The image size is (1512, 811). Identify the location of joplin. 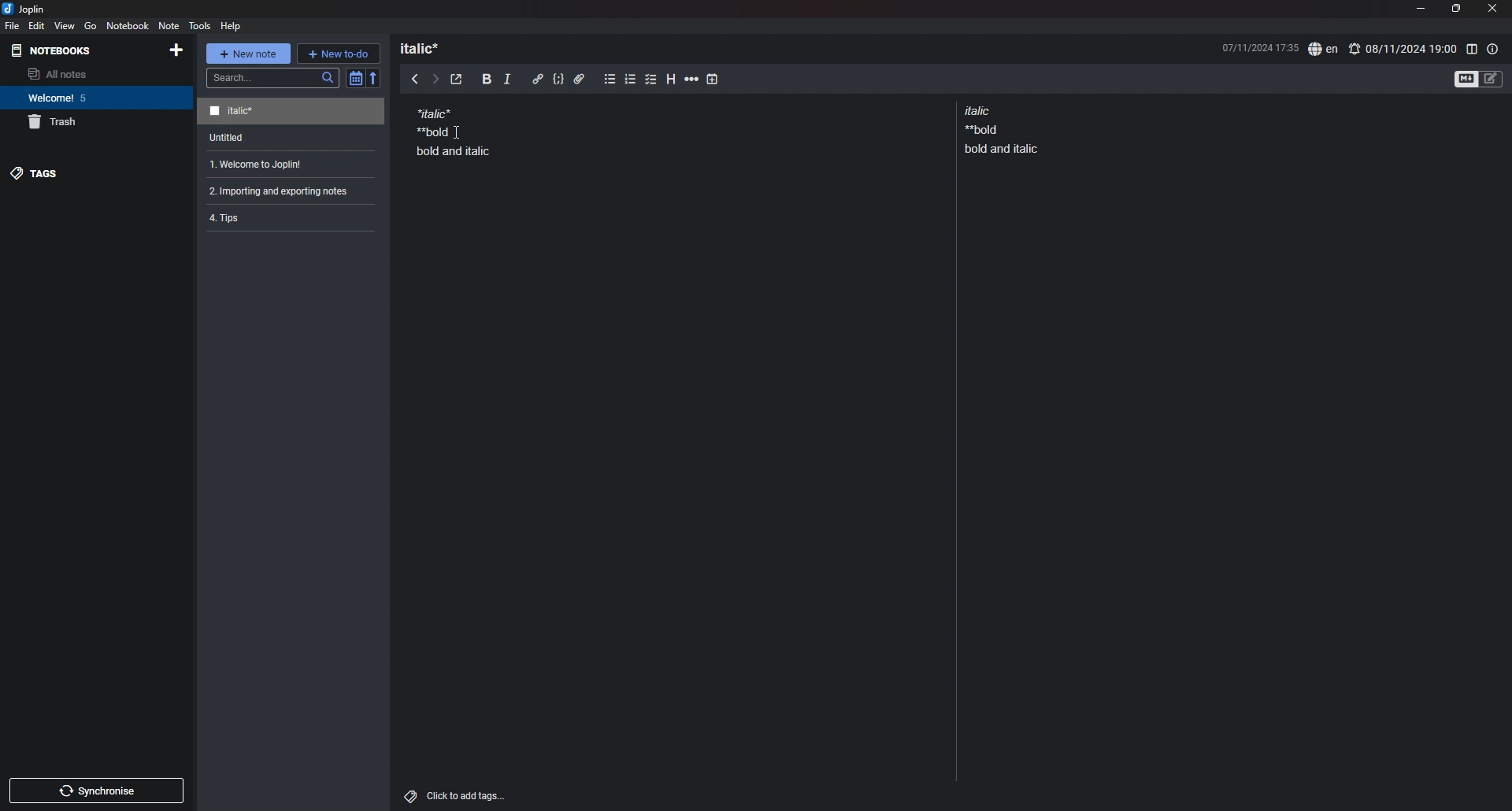
(24, 9).